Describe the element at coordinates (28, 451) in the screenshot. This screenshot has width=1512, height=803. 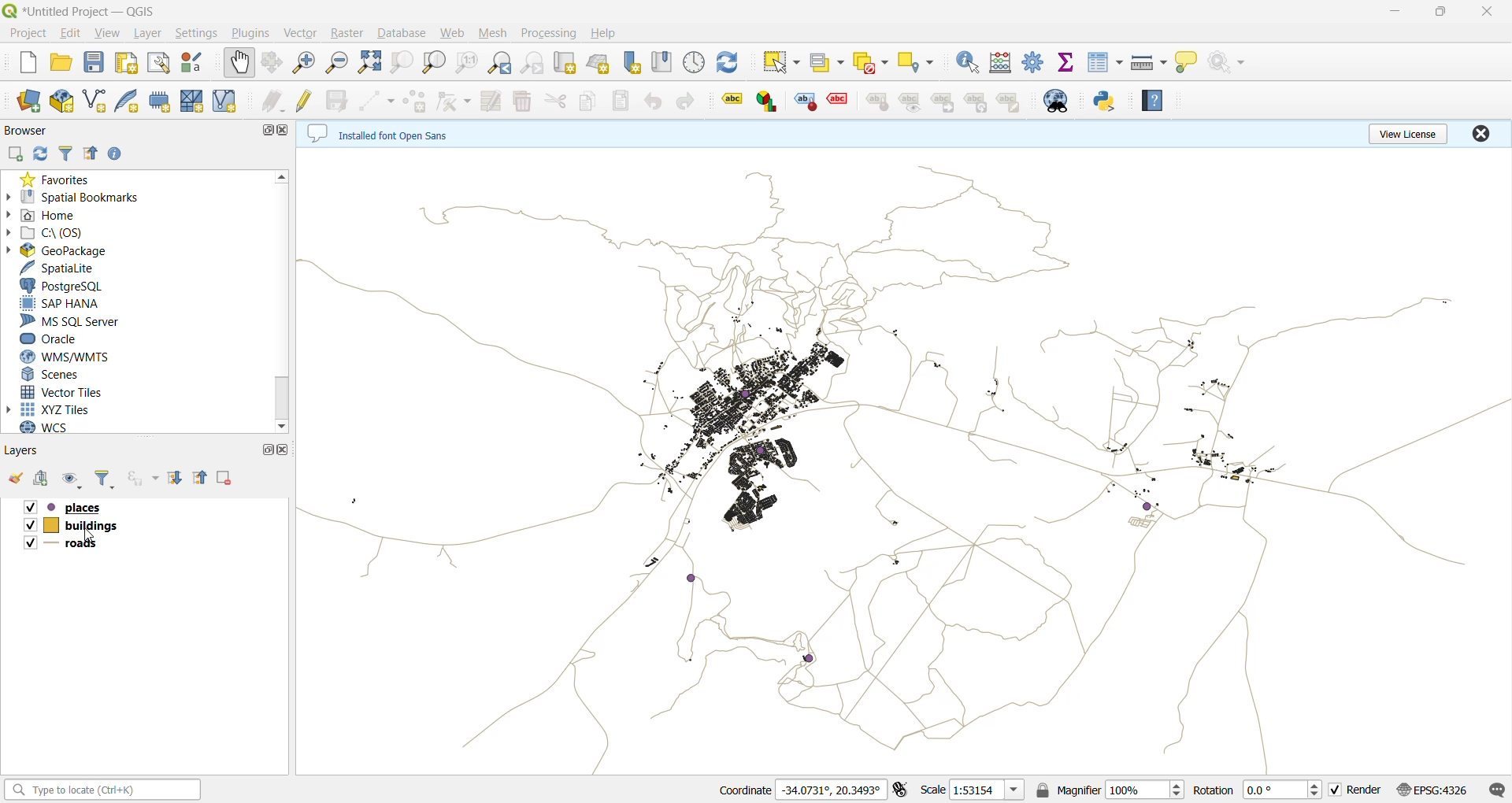
I see `layers` at that location.